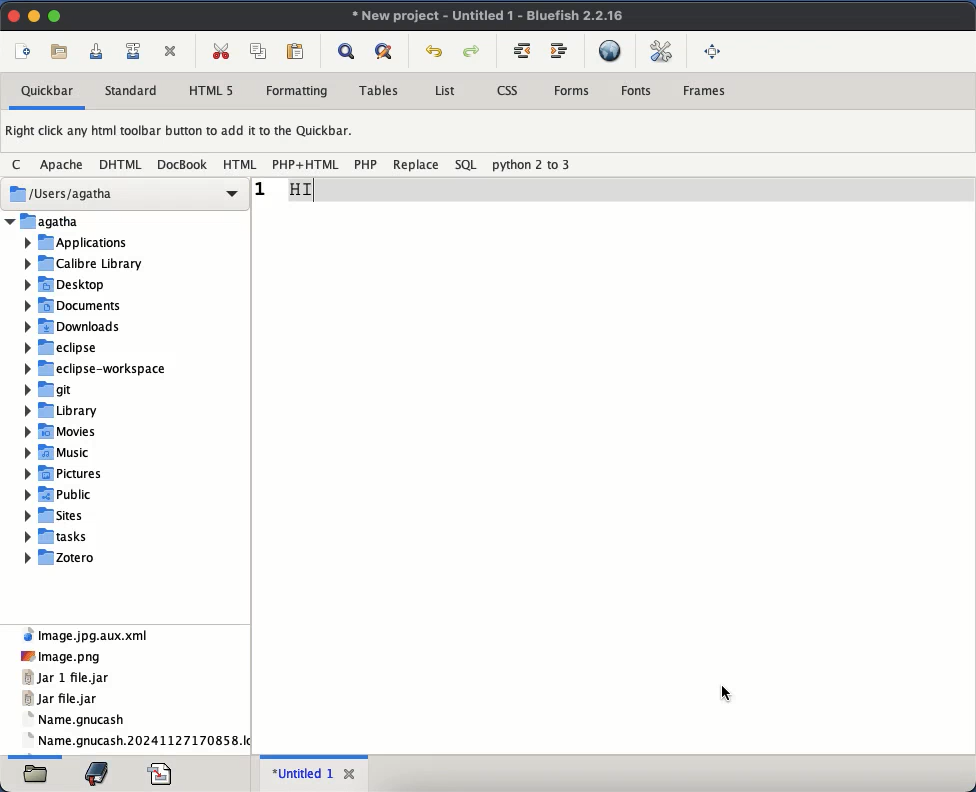  What do you see at coordinates (65, 679) in the screenshot?
I see `jar 1` at bounding box center [65, 679].